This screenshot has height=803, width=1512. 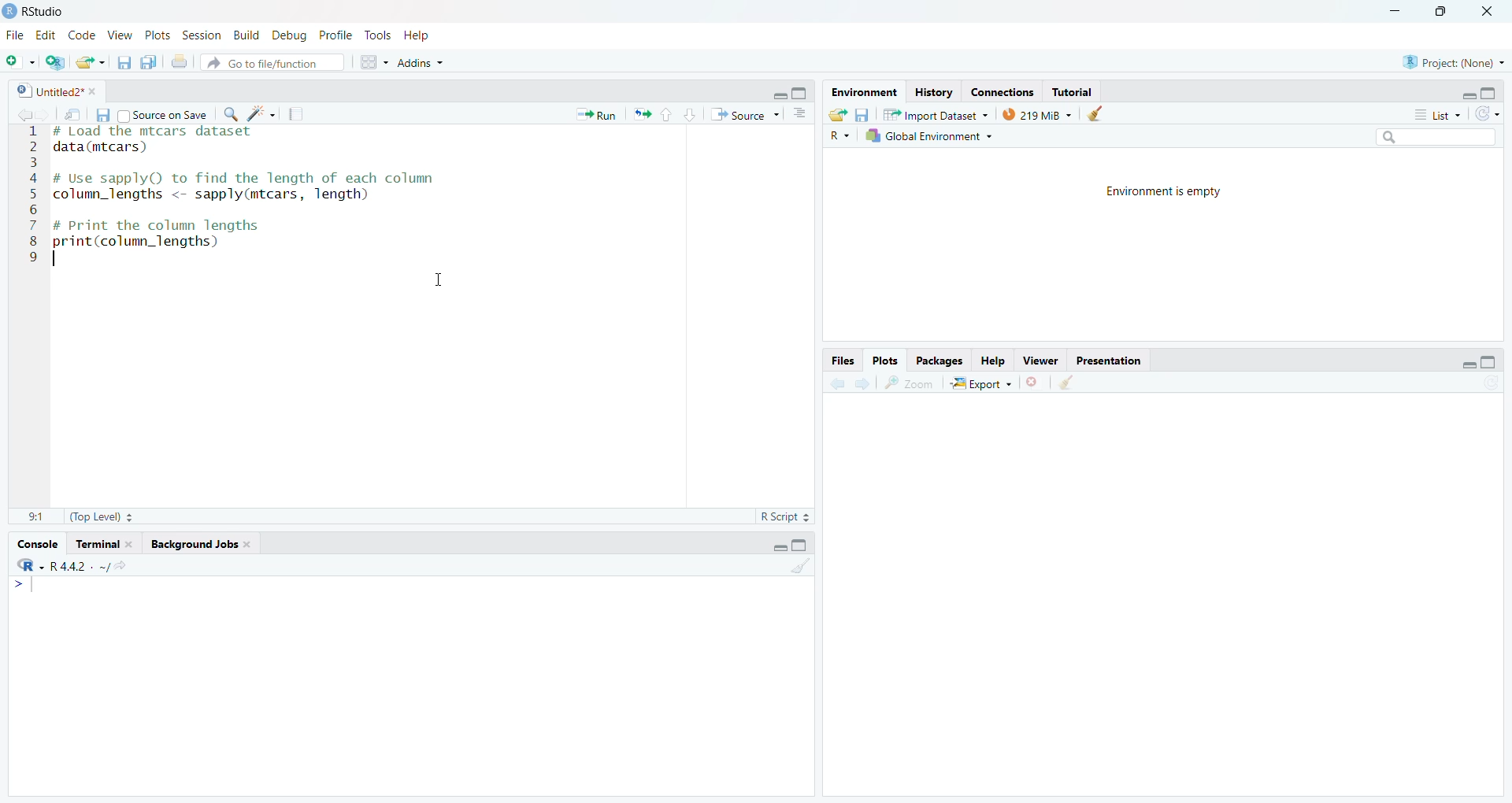 What do you see at coordinates (786, 516) in the screenshot?
I see `R Script` at bounding box center [786, 516].